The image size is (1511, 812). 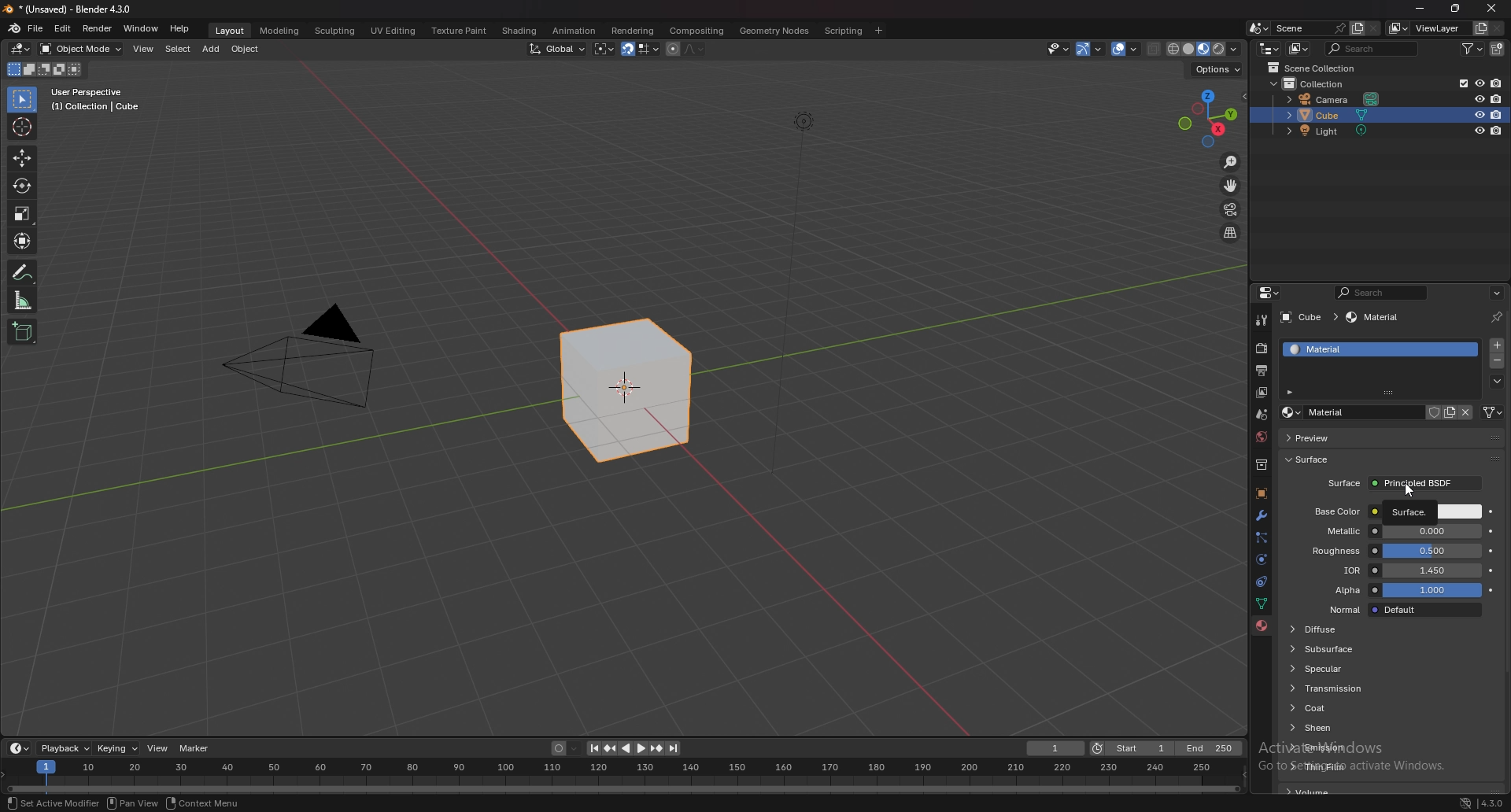 I want to click on snapping, so click(x=640, y=50).